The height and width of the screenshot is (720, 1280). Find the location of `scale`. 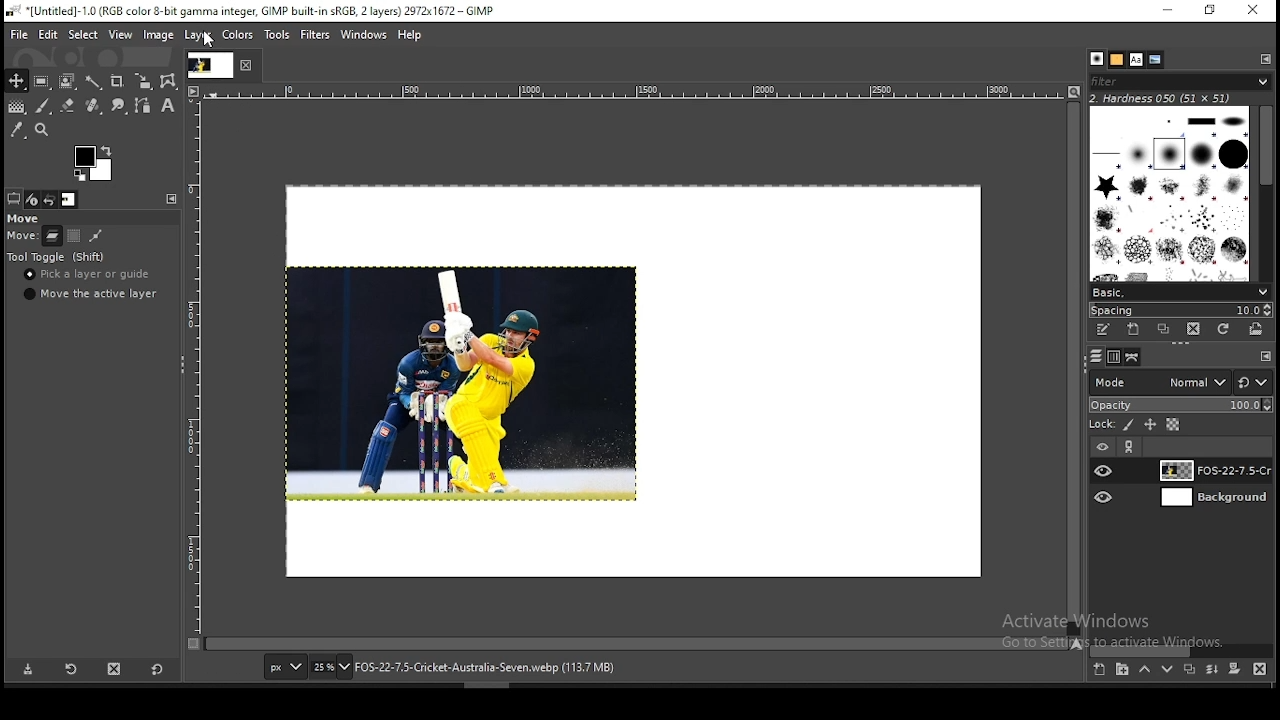

scale is located at coordinates (624, 91).